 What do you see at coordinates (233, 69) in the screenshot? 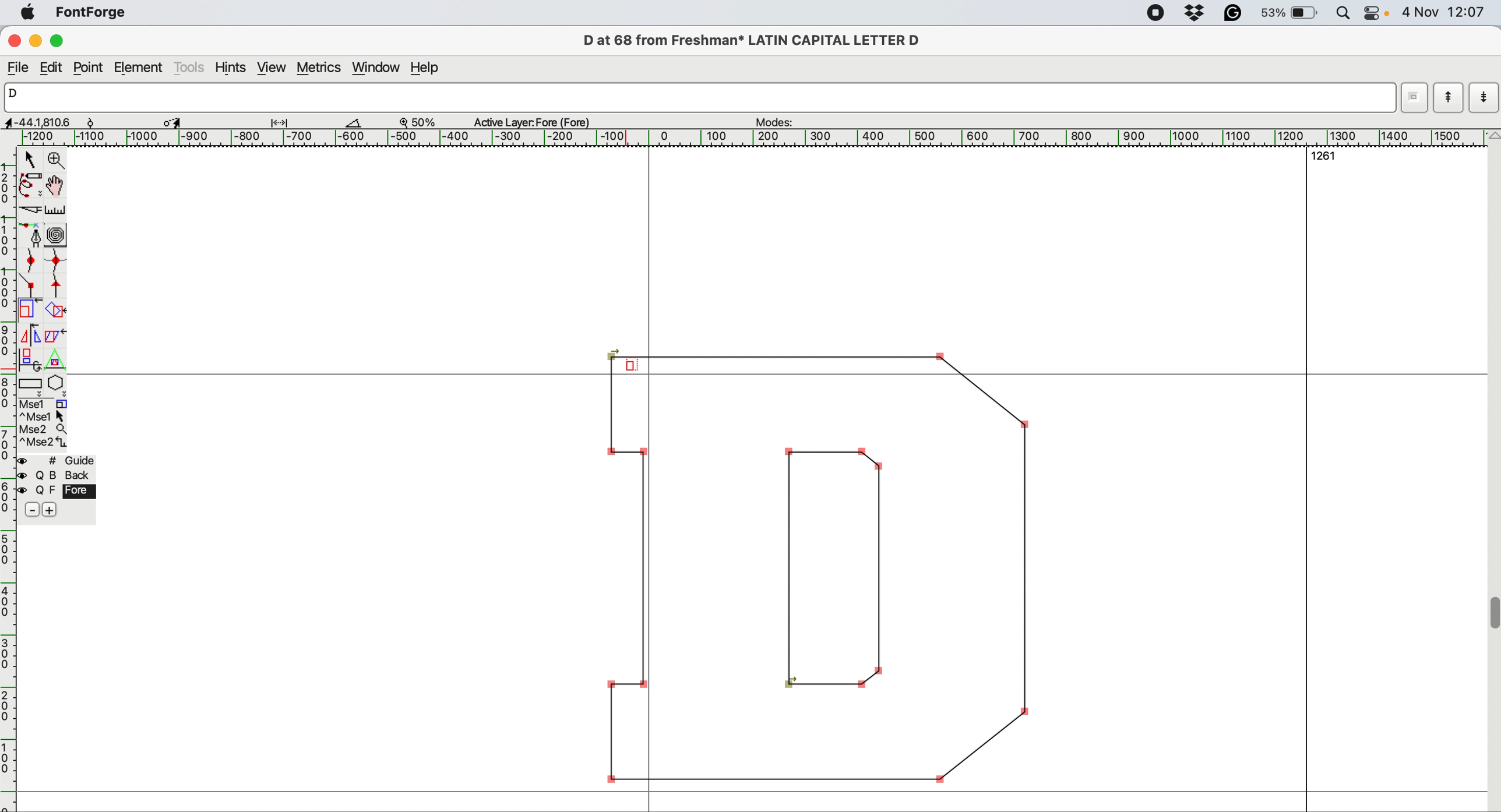
I see `hints` at bounding box center [233, 69].